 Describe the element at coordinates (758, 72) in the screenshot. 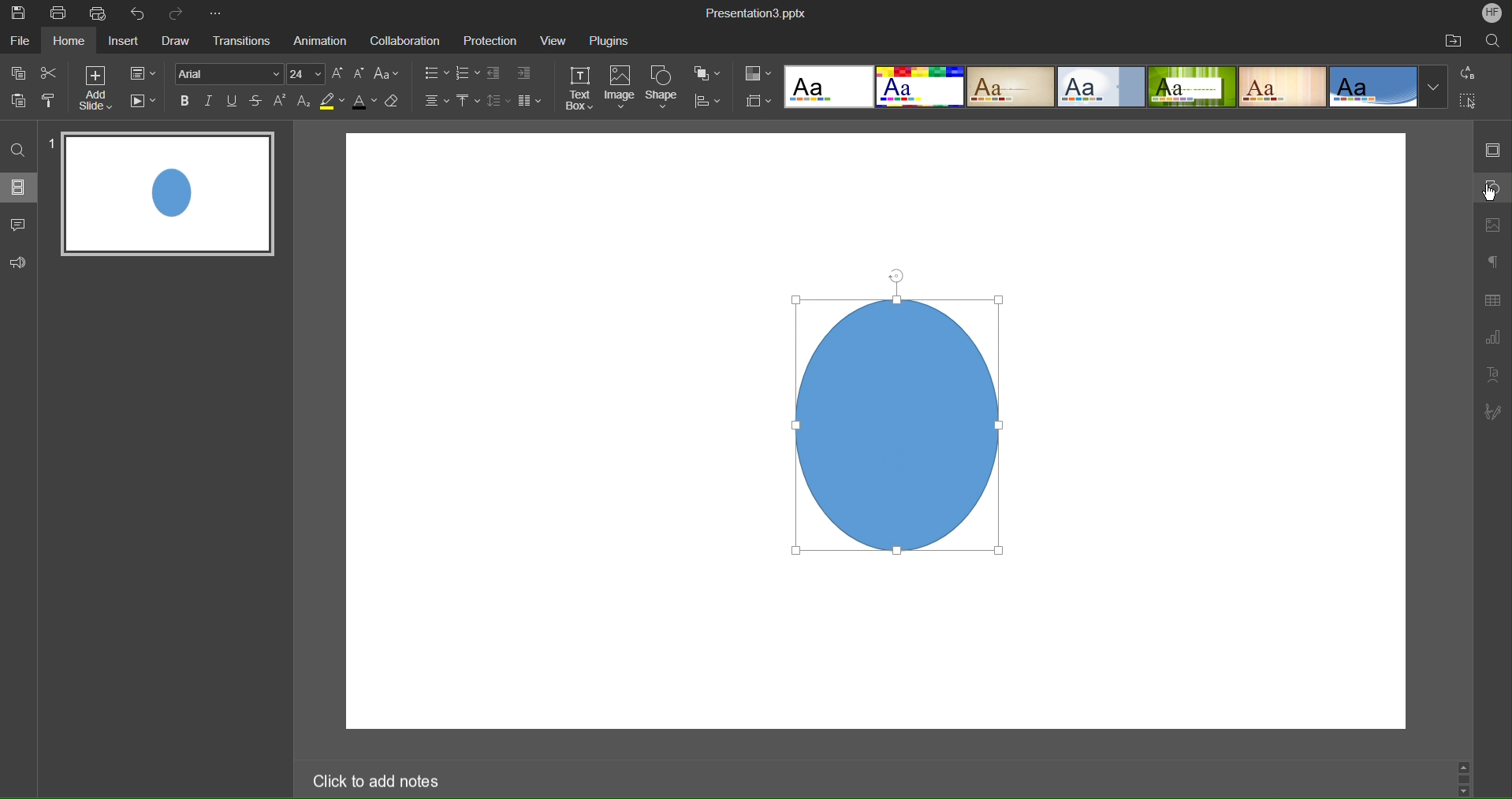

I see `Color Options` at that location.